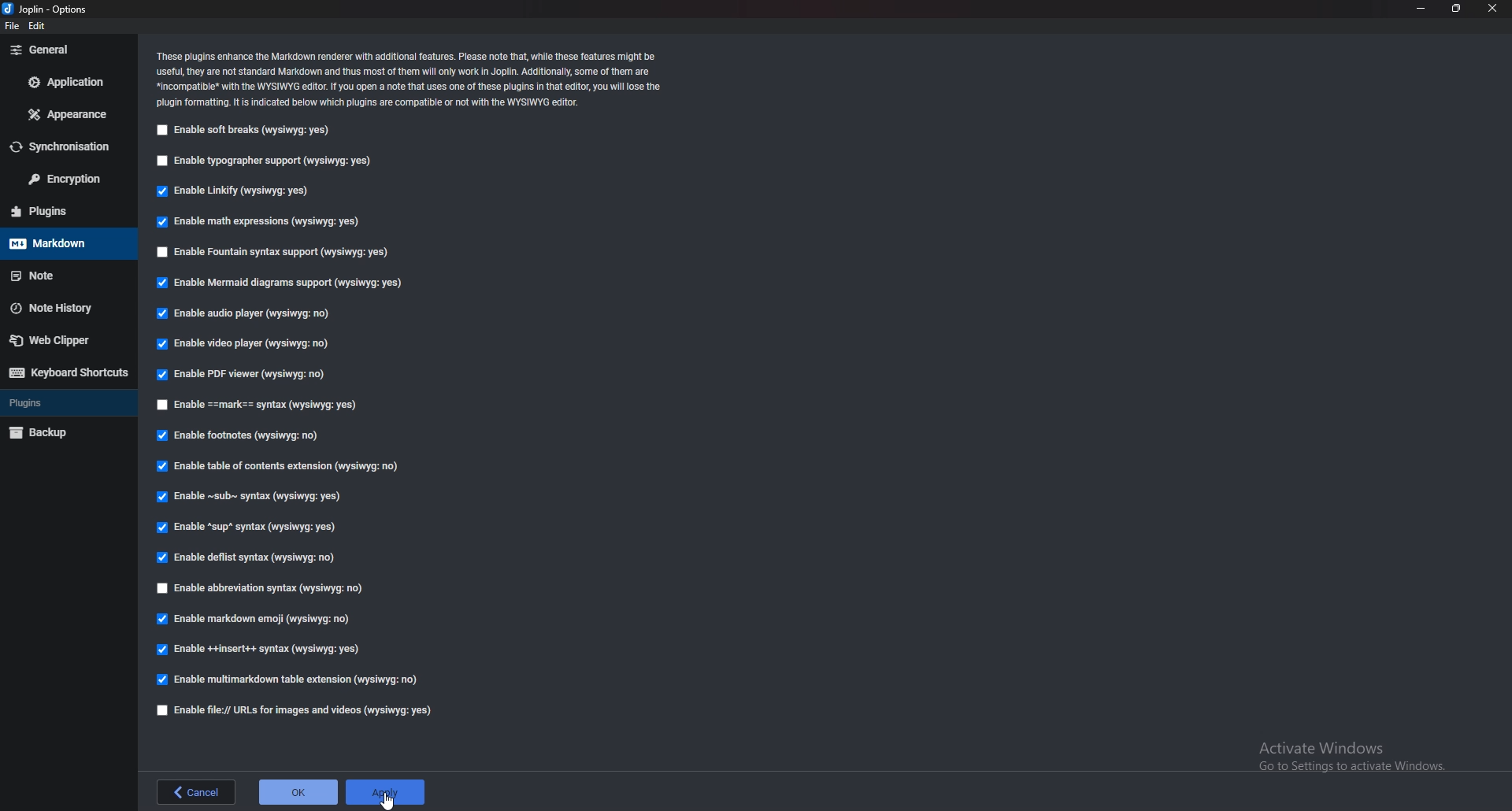 The width and height of the screenshot is (1512, 811). Describe the element at coordinates (243, 344) in the screenshot. I see `enable video player` at that location.